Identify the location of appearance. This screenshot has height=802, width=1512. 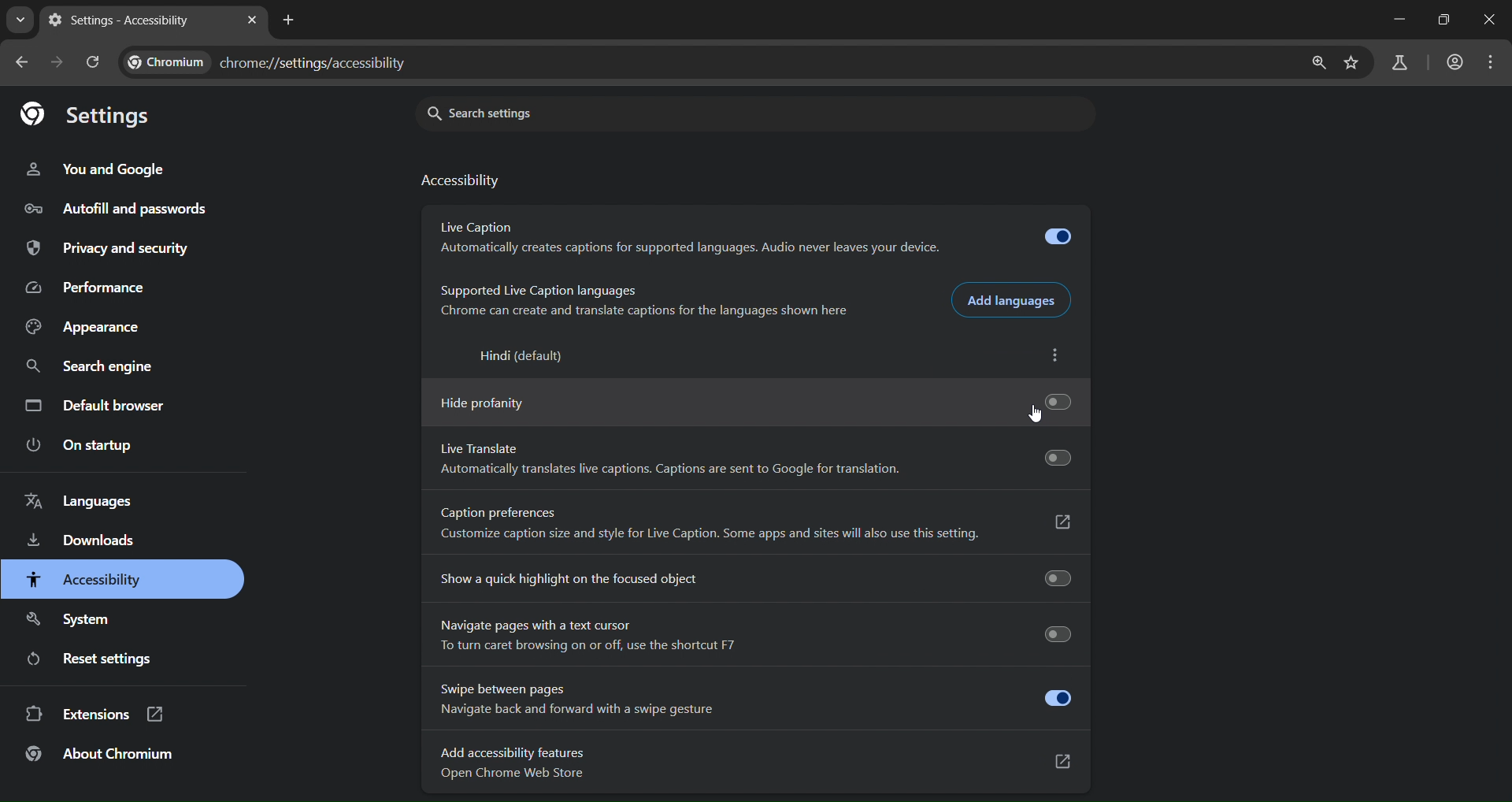
(84, 327).